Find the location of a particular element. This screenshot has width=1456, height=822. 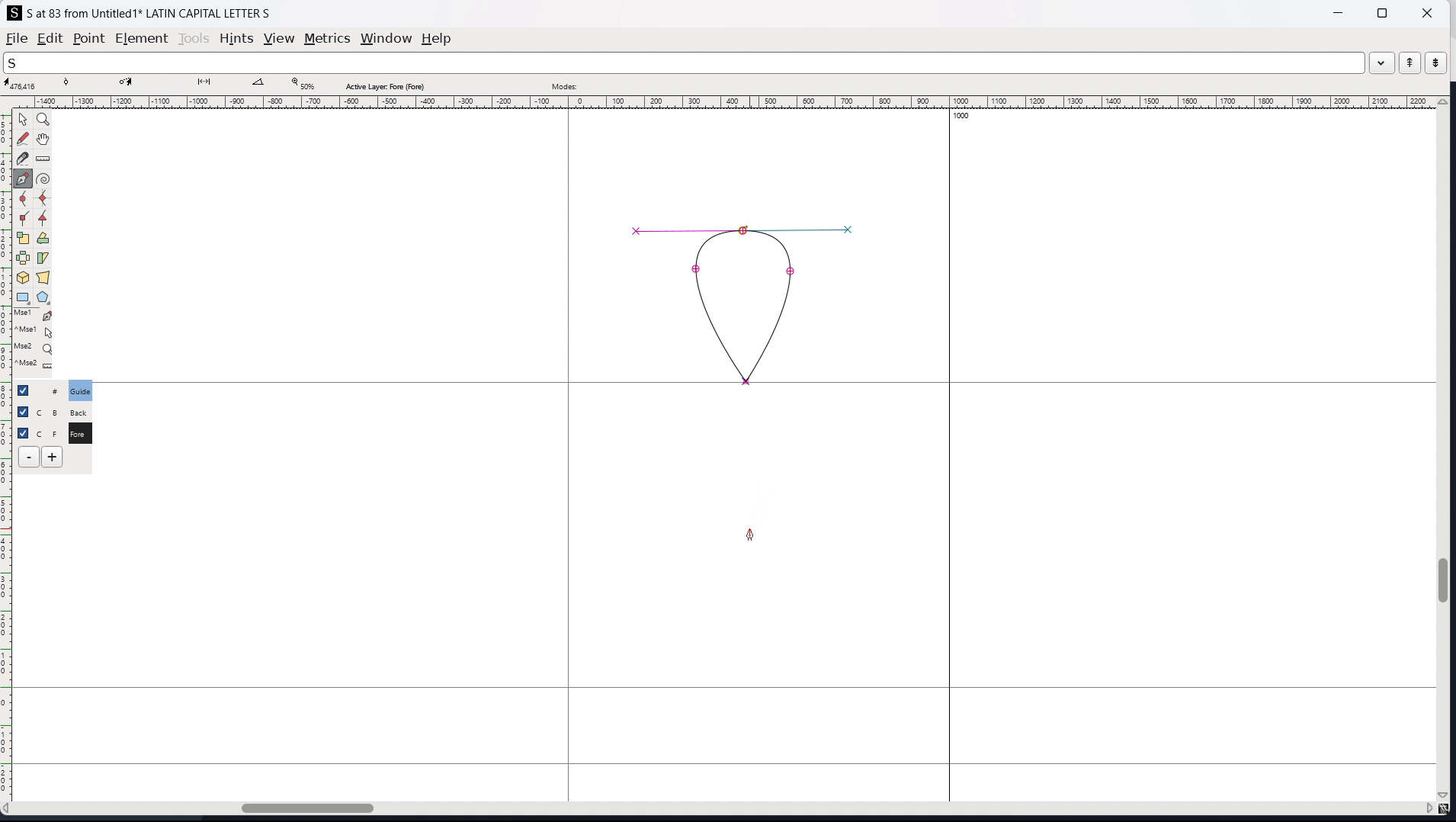

checkbox is located at coordinates (27, 390).